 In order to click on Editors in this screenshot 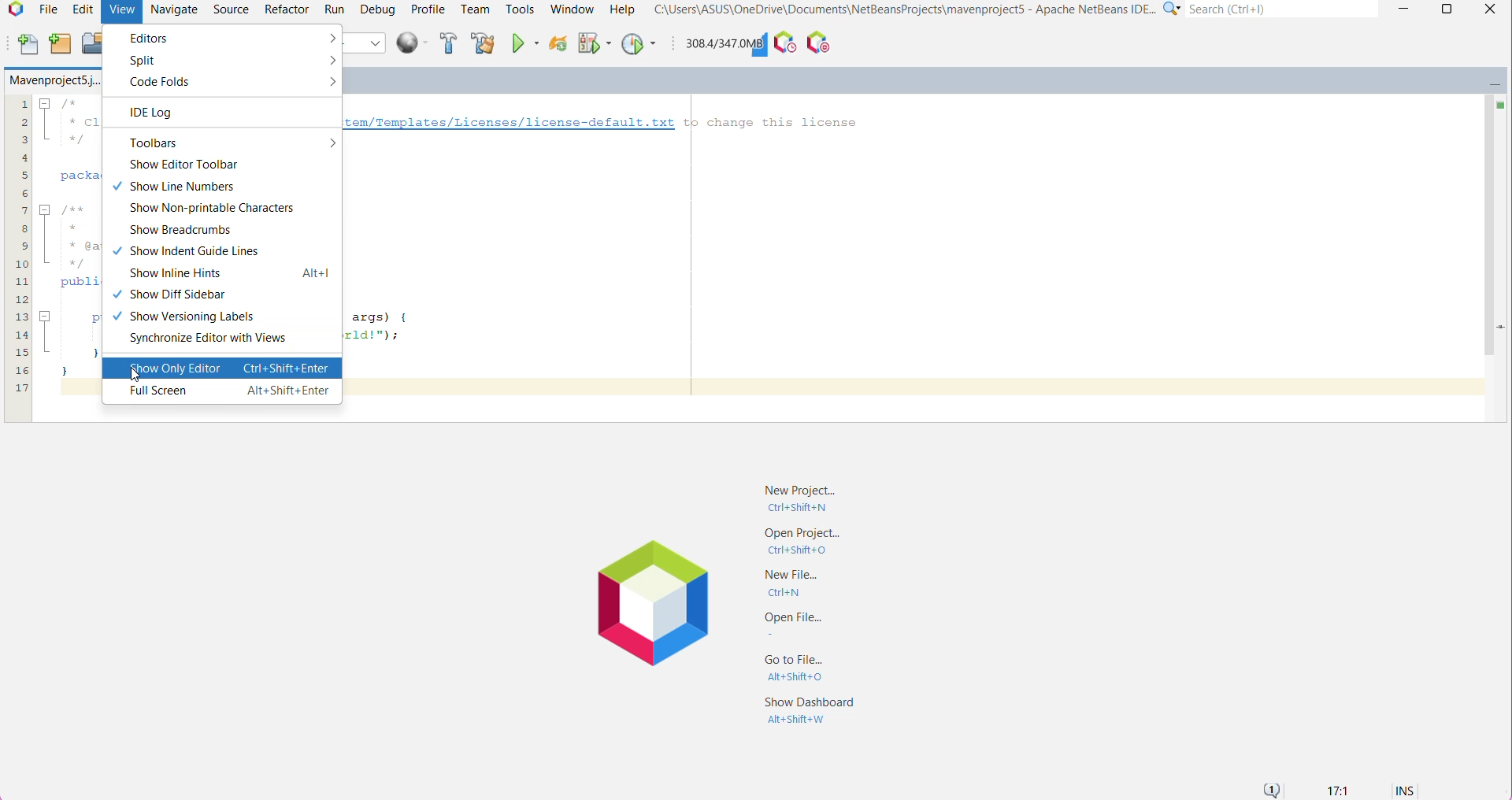, I will do `click(225, 39)`.